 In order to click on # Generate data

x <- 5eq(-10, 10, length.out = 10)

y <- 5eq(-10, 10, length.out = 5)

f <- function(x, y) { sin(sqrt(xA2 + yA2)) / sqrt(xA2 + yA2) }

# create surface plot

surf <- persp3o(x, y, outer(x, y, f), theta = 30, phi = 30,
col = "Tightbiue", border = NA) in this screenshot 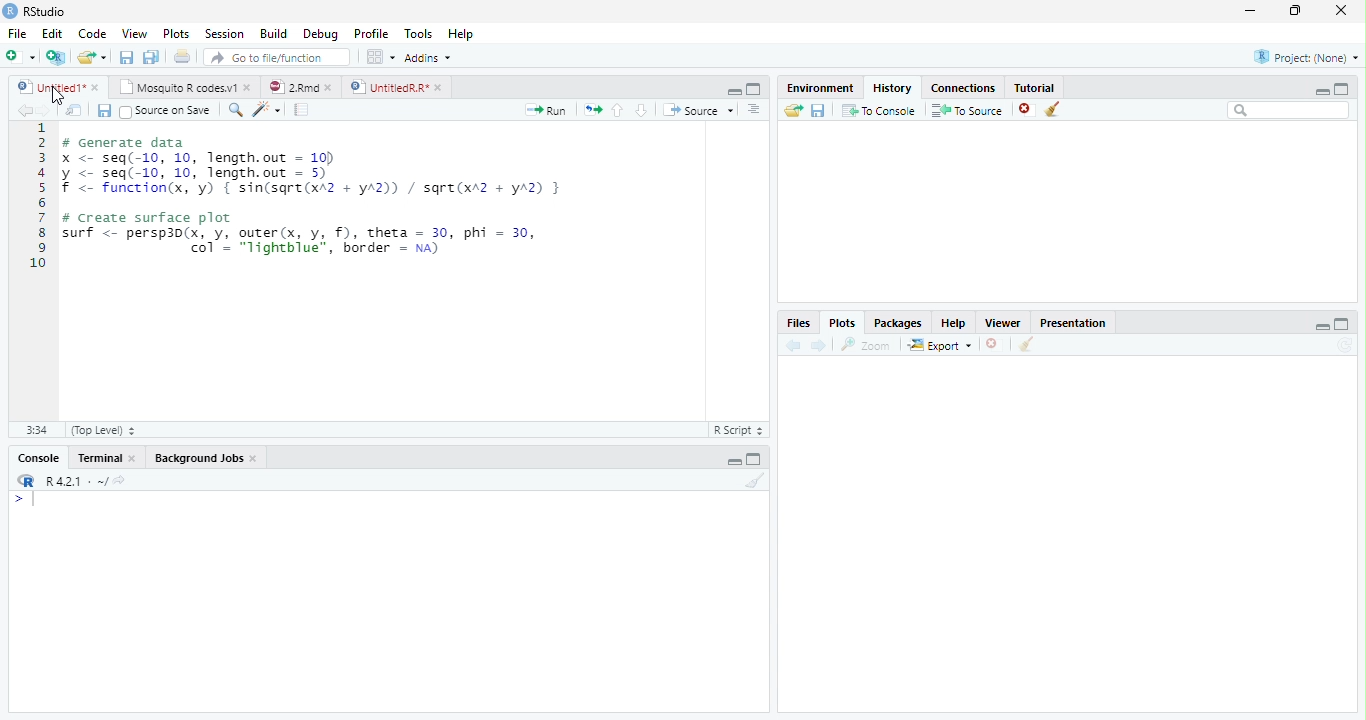, I will do `click(319, 192)`.